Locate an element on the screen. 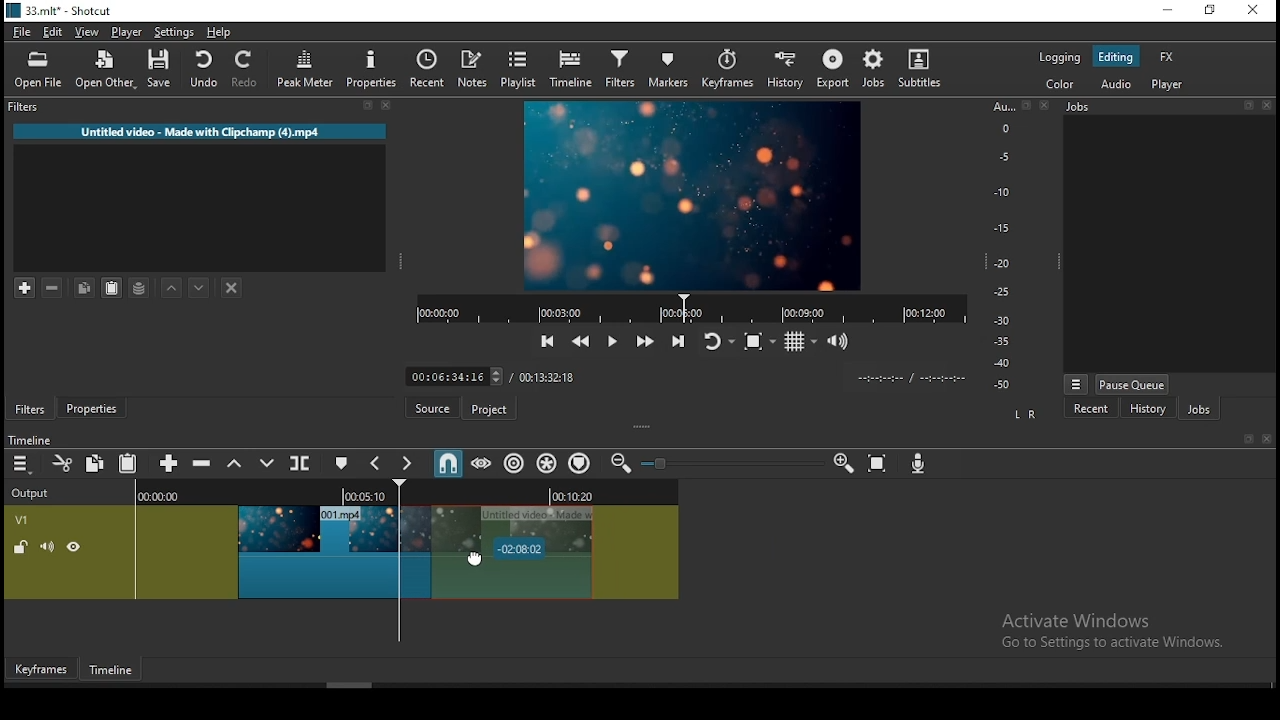 The height and width of the screenshot is (720, 1280). copy selected filter is located at coordinates (83, 287).